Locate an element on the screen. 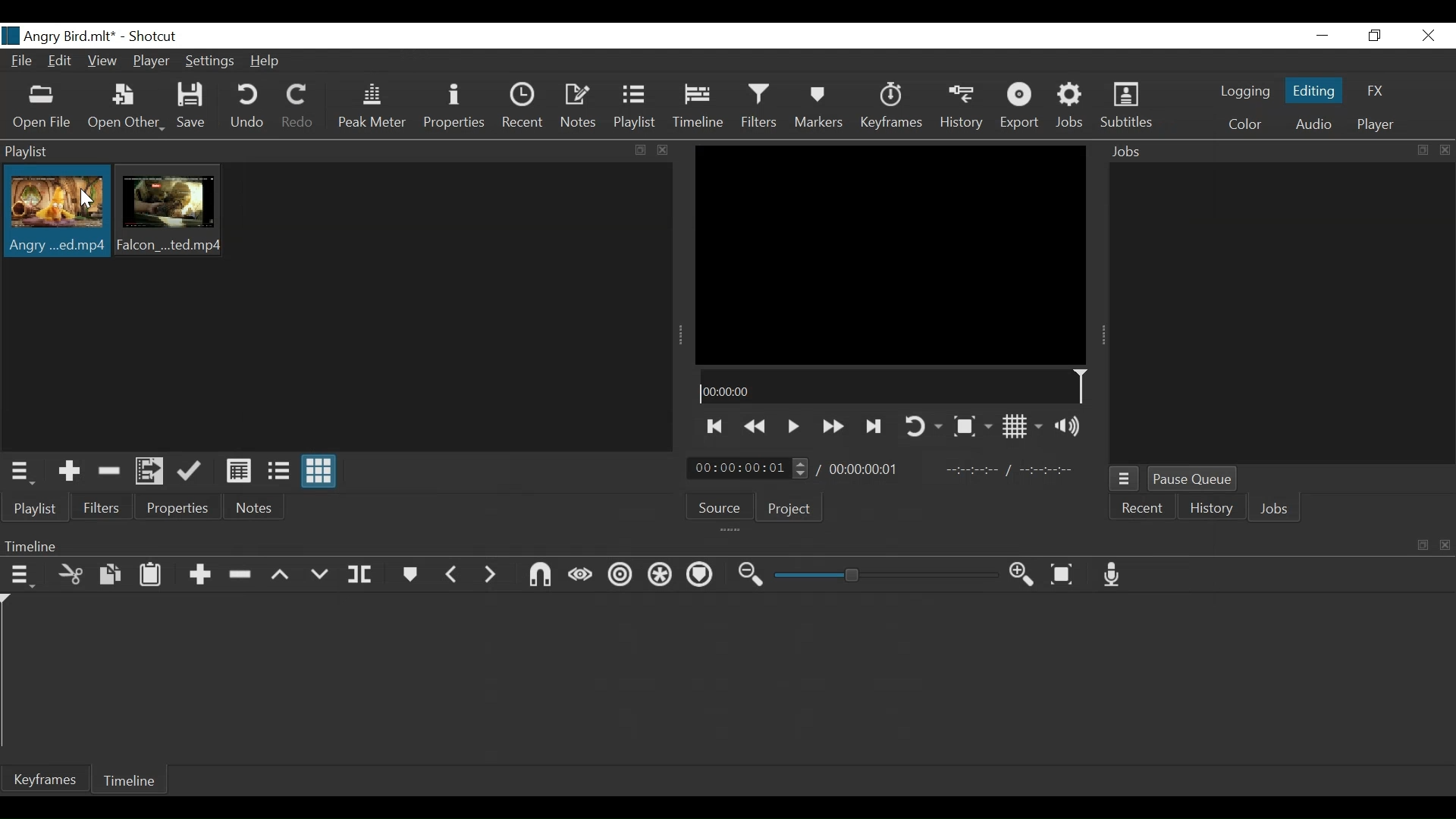 Image resolution: width=1456 pixels, height=819 pixels. View as Detail is located at coordinates (238, 471).